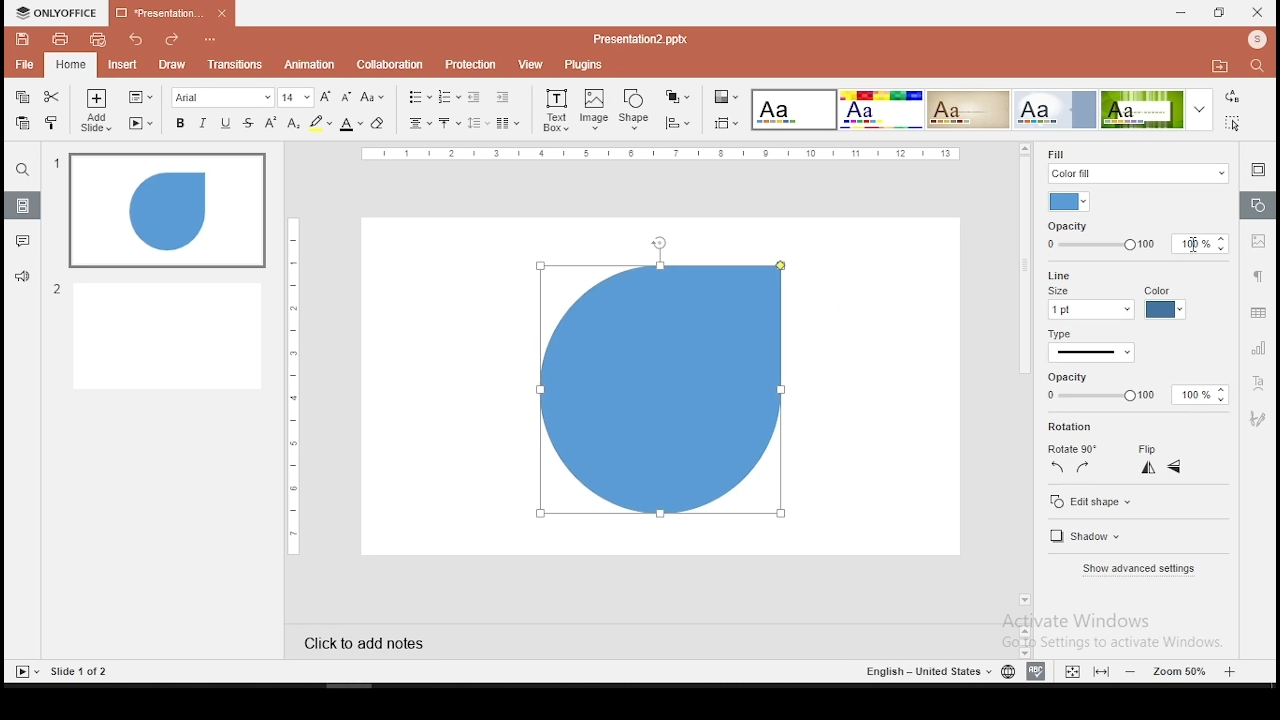  I want to click on insert, so click(123, 66).